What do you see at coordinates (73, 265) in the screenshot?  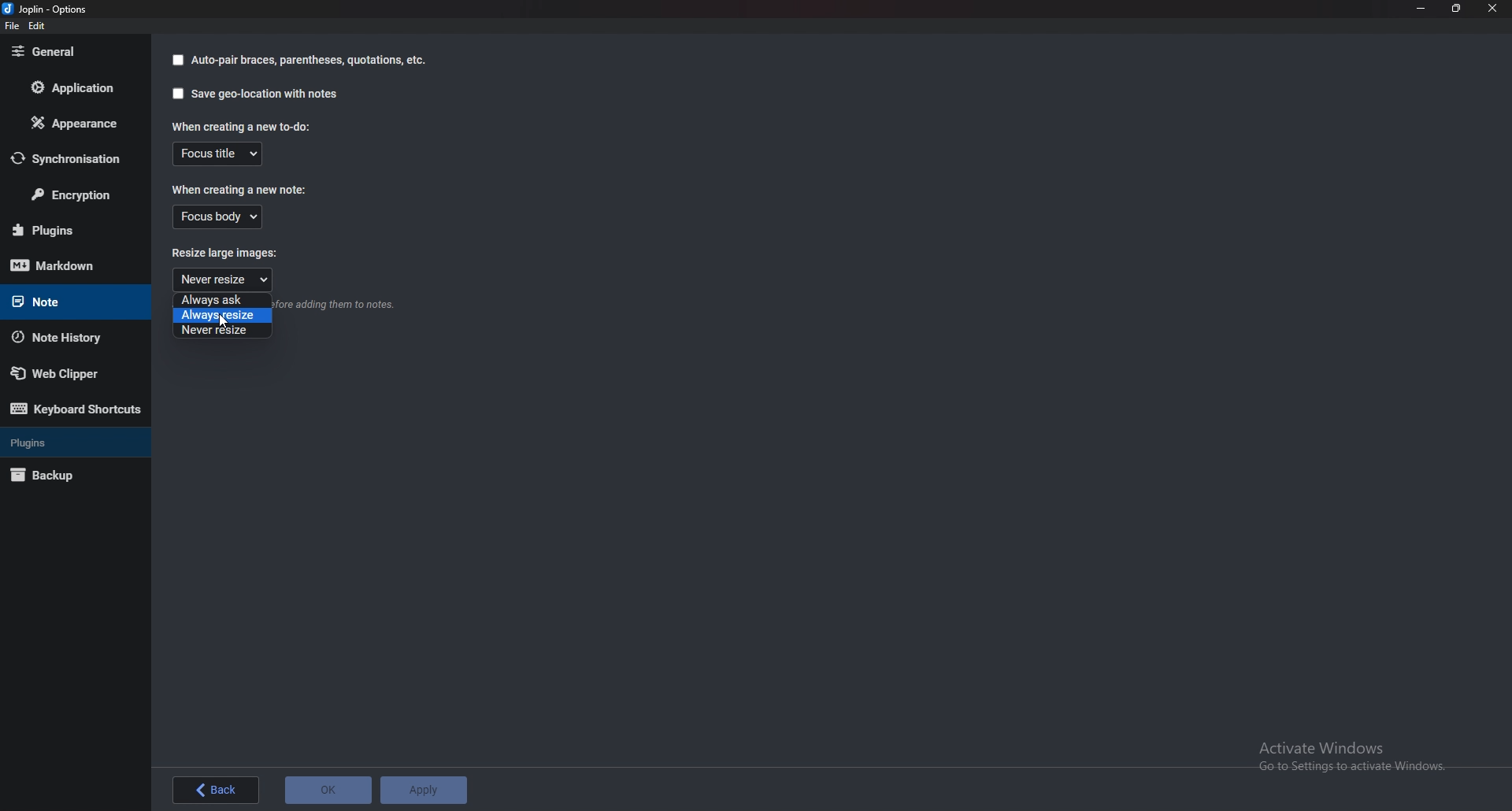 I see `Mark down` at bounding box center [73, 265].